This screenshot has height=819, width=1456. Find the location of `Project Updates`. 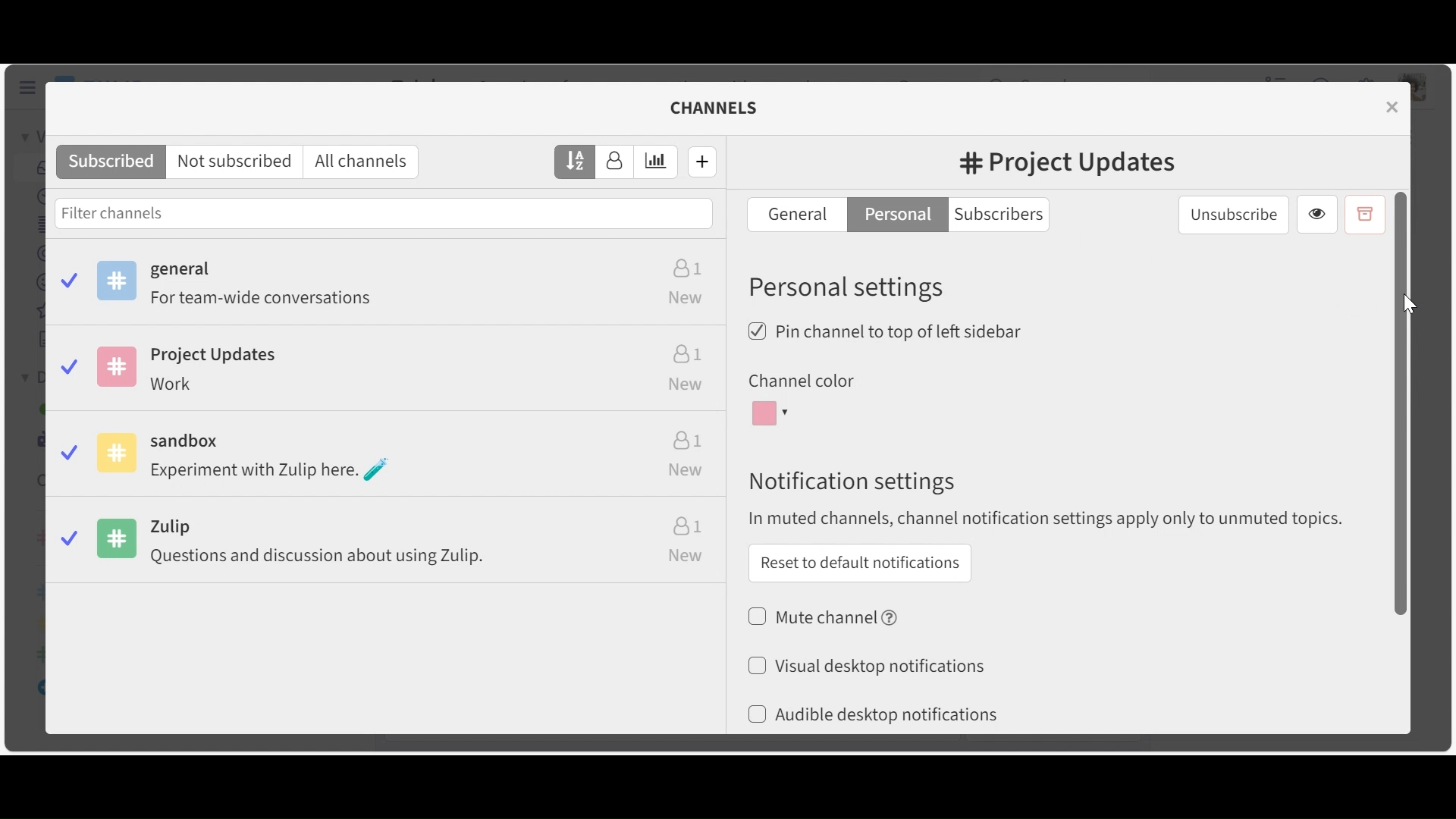

Project Updates is located at coordinates (386, 372).